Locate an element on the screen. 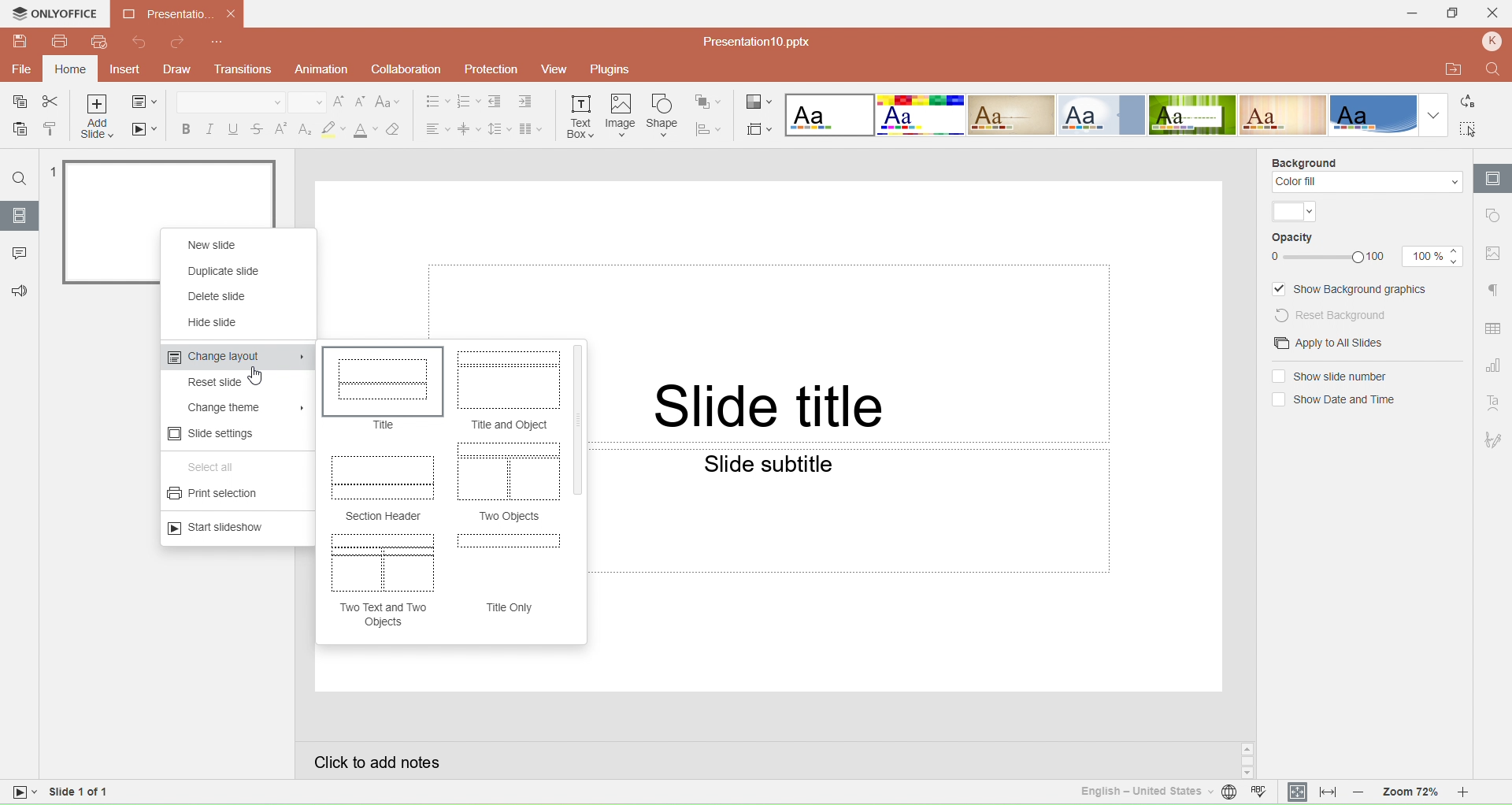  Select all is located at coordinates (1470, 128).